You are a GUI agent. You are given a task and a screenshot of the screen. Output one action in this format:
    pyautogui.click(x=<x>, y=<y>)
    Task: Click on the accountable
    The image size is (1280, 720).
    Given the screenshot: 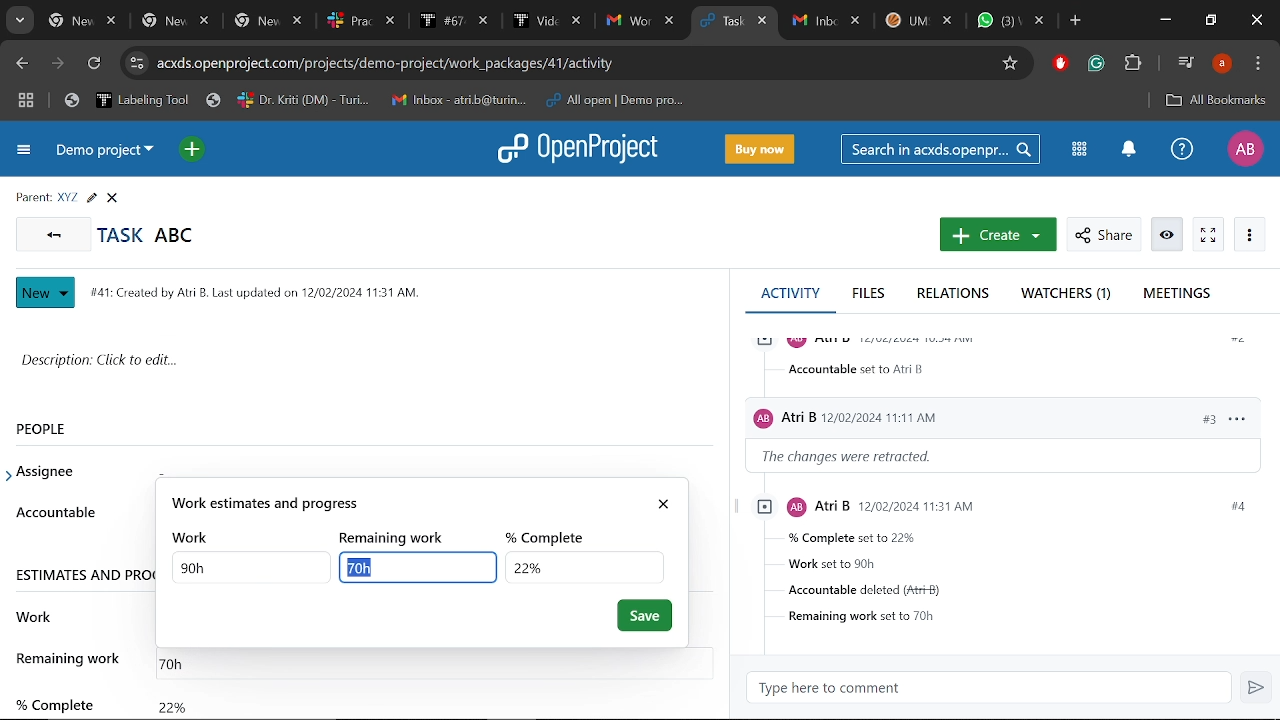 What is the action you would take?
    pyautogui.click(x=860, y=369)
    